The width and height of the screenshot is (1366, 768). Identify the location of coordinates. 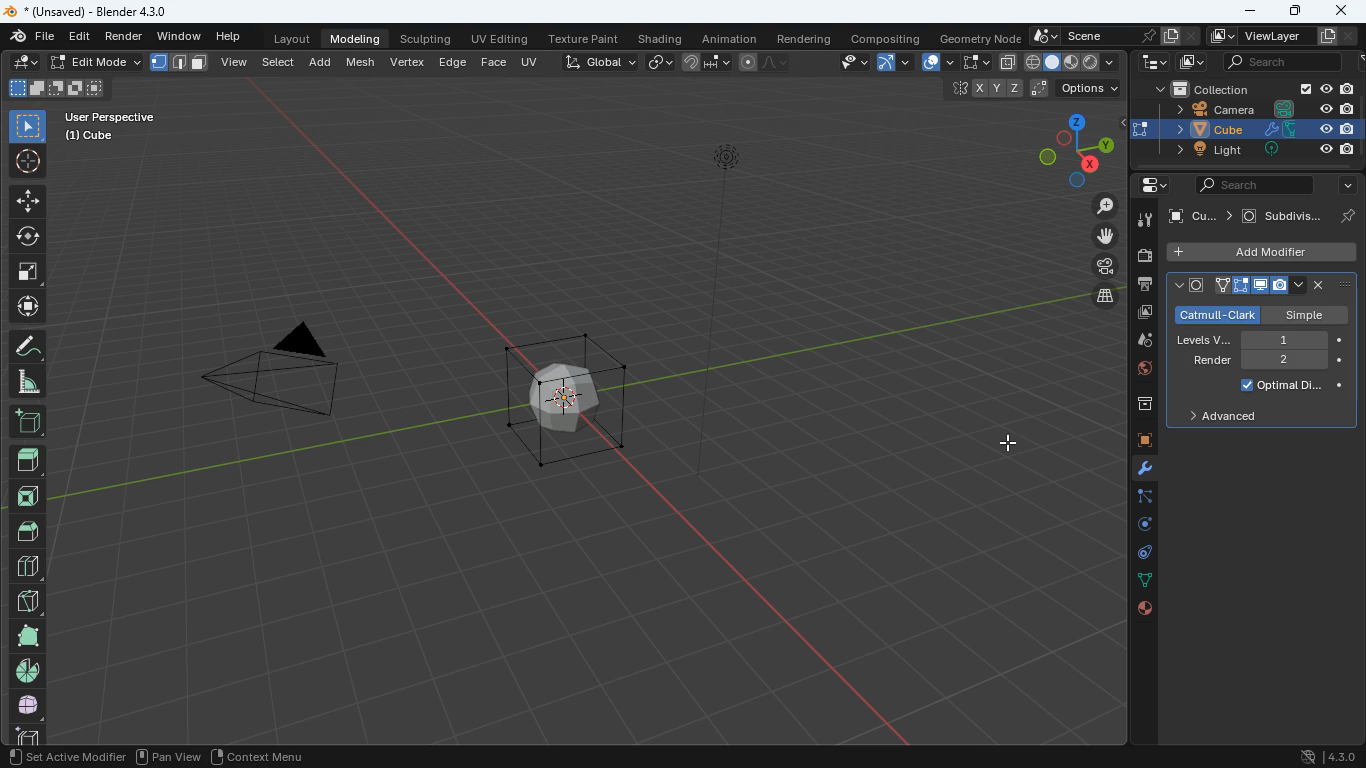
(1035, 89).